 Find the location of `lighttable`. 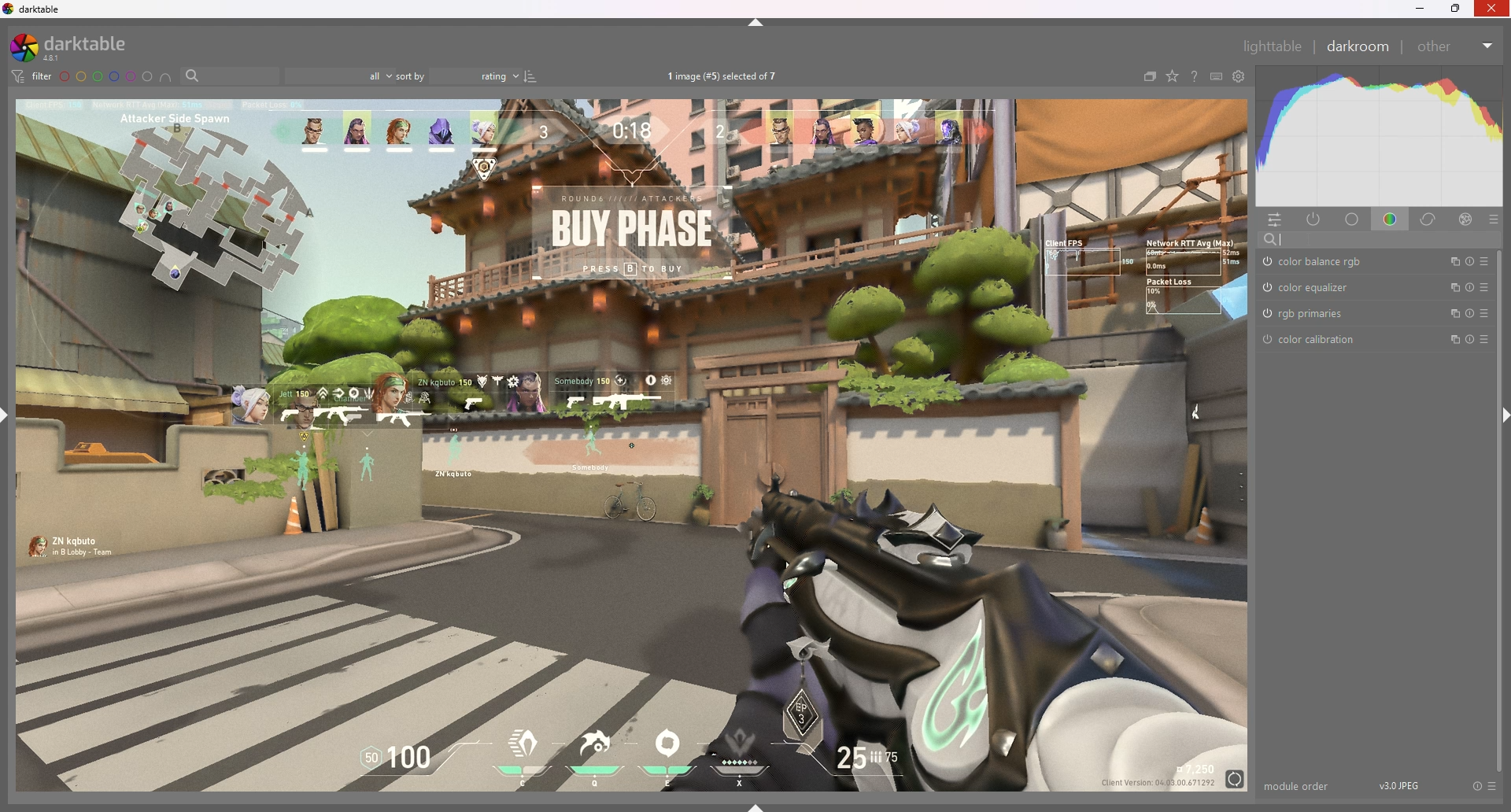

lighttable is located at coordinates (1273, 46).